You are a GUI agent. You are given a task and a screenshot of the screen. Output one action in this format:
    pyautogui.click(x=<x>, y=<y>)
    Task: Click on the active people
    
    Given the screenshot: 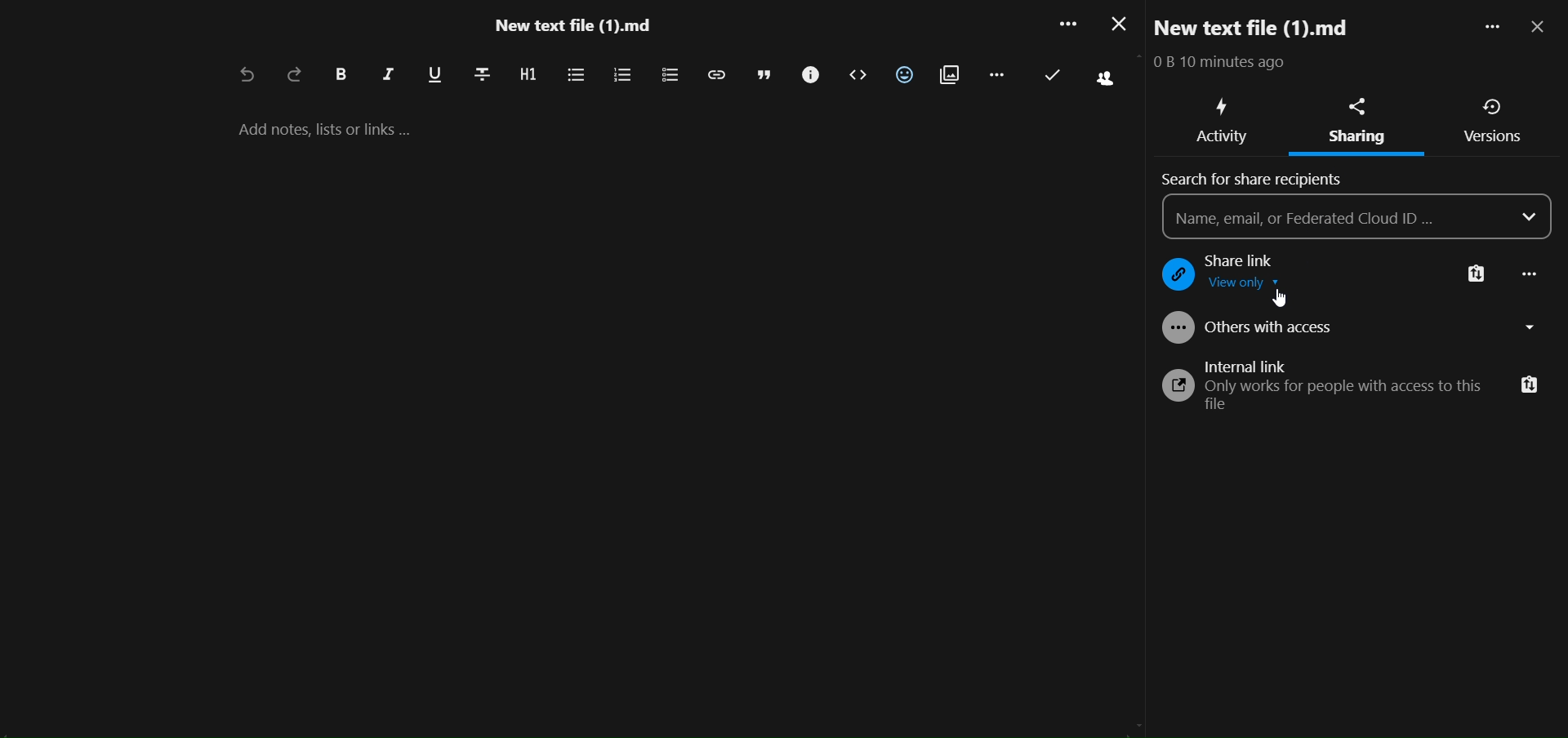 What is the action you would take?
    pyautogui.click(x=1102, y=81)
    